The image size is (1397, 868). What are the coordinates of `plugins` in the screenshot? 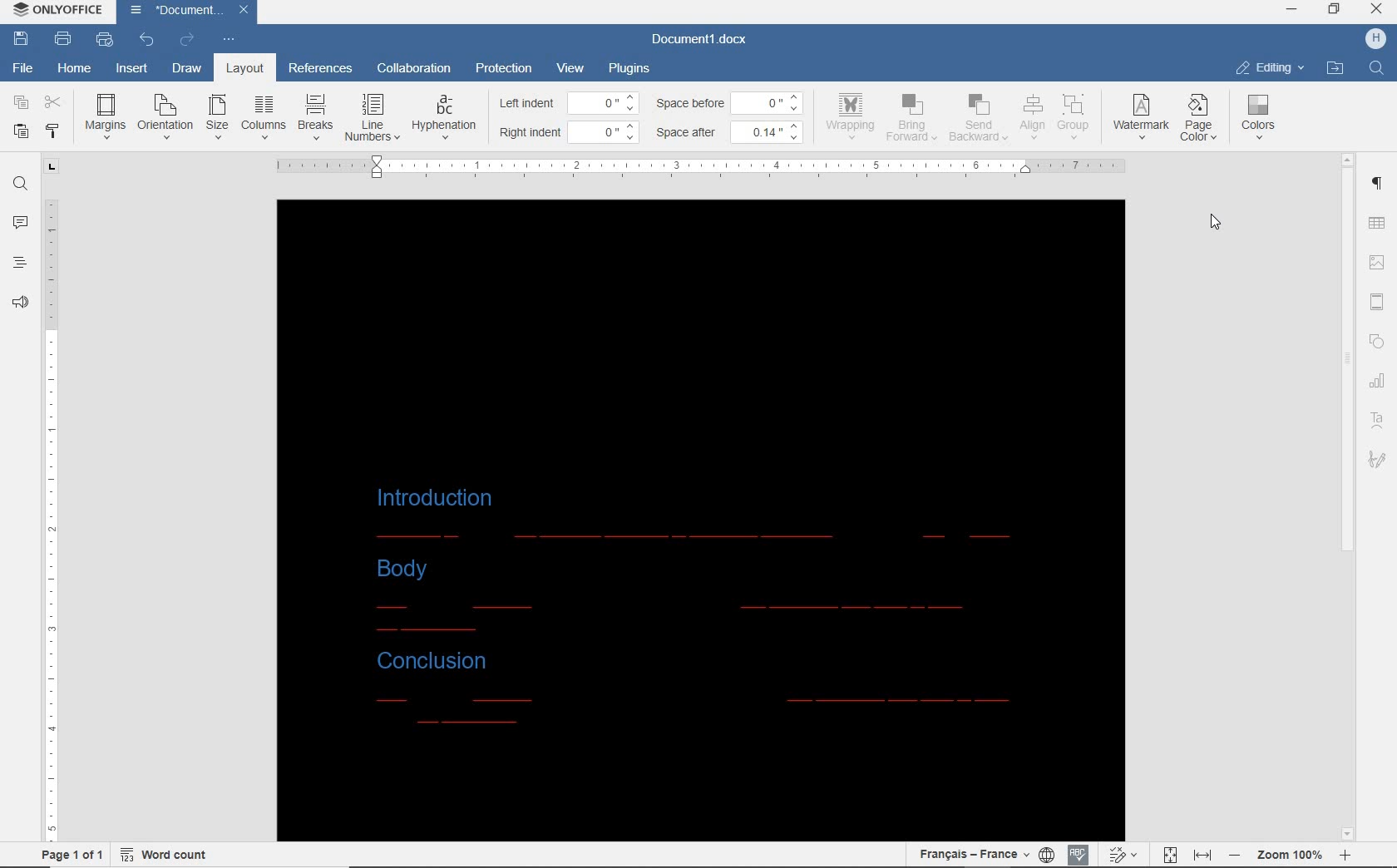 It's located at (630, 70).